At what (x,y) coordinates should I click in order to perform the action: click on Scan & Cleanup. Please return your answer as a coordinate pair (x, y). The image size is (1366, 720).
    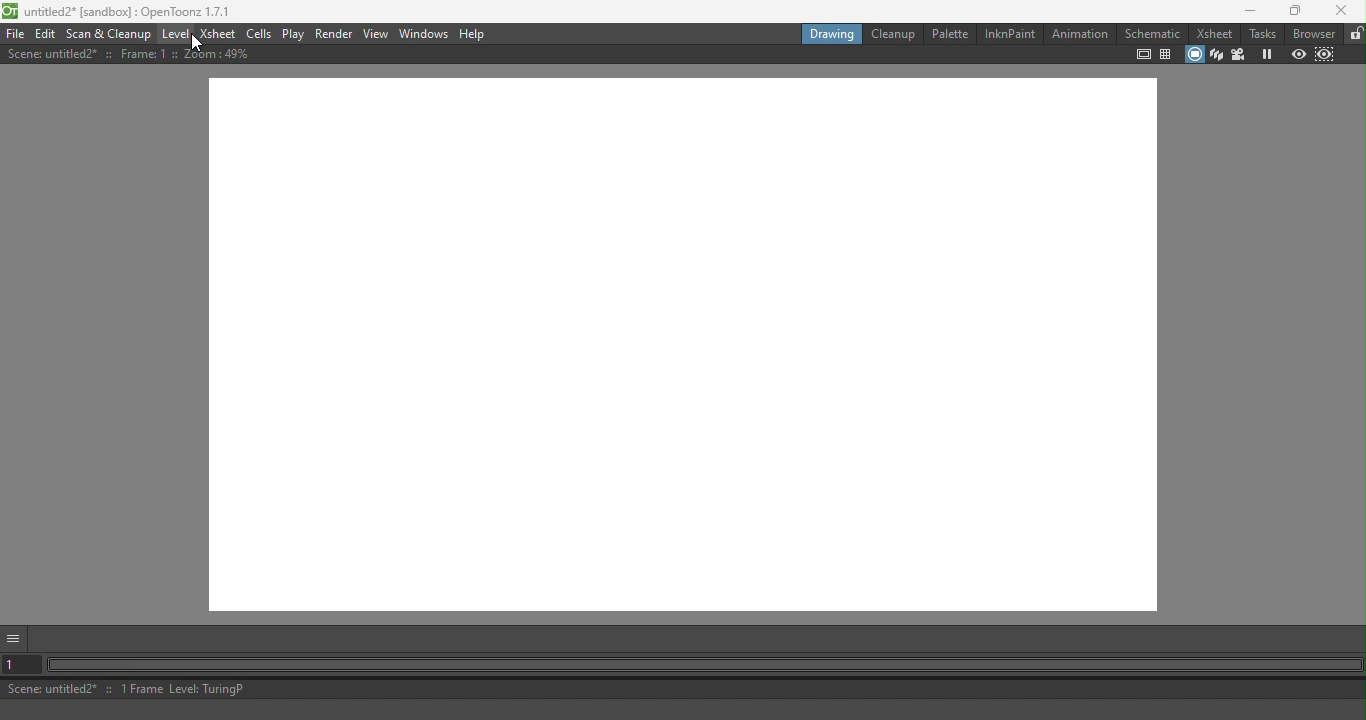
    Looking at the image, I should click on (108, 35).